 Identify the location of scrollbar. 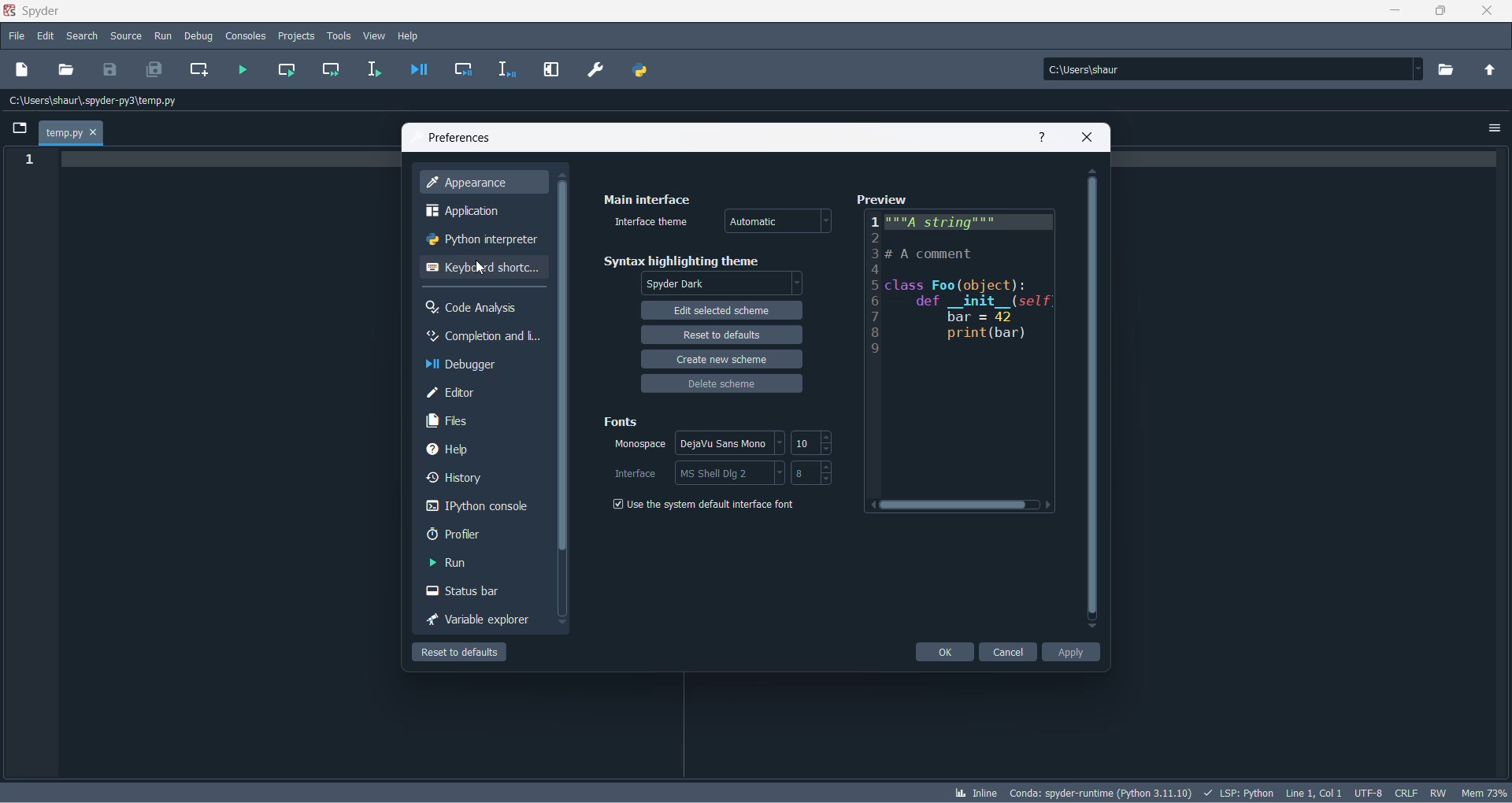
(955, 506).